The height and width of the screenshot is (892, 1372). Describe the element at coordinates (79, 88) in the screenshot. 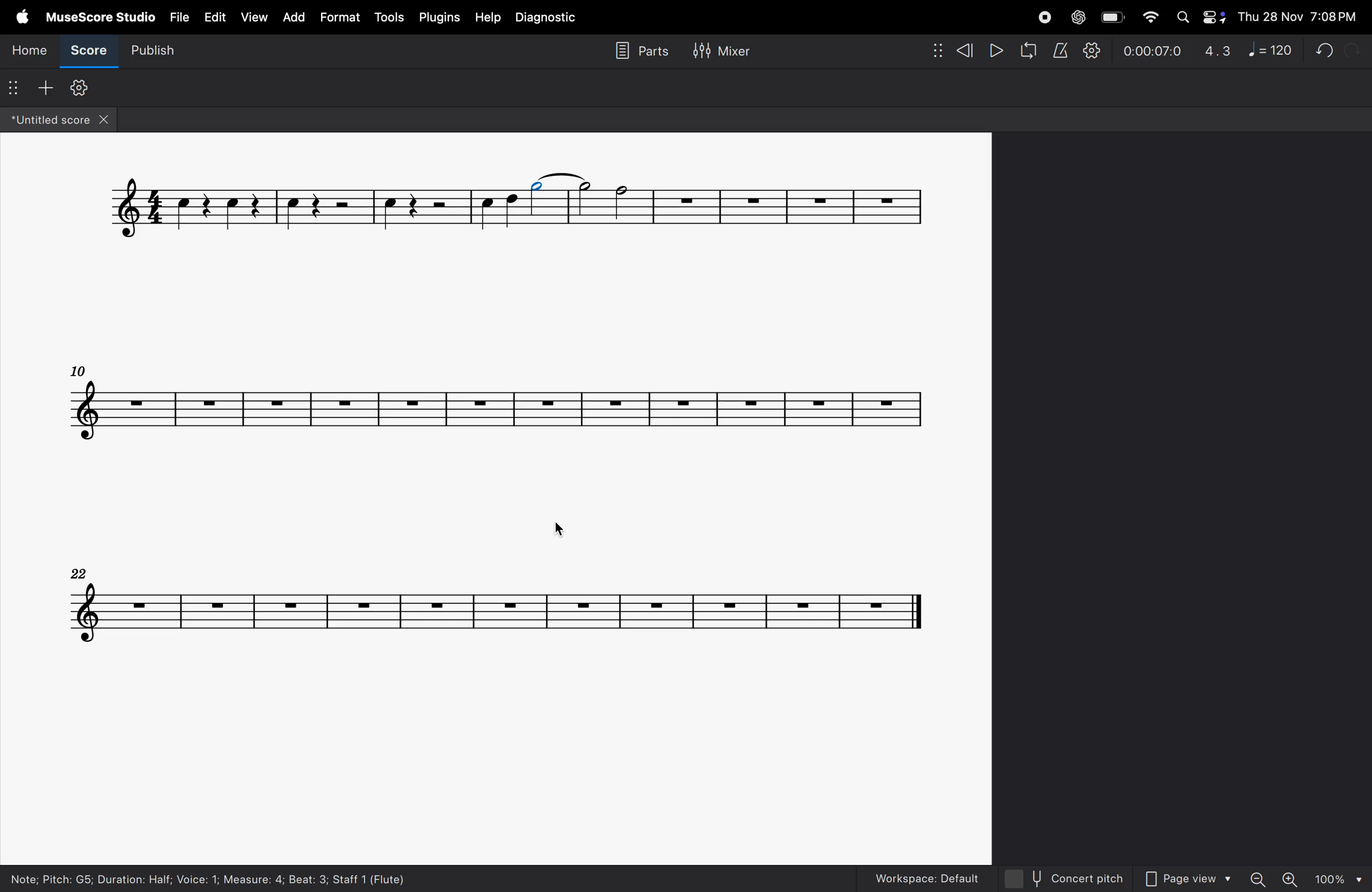

I see `customize toolbar` at that location.